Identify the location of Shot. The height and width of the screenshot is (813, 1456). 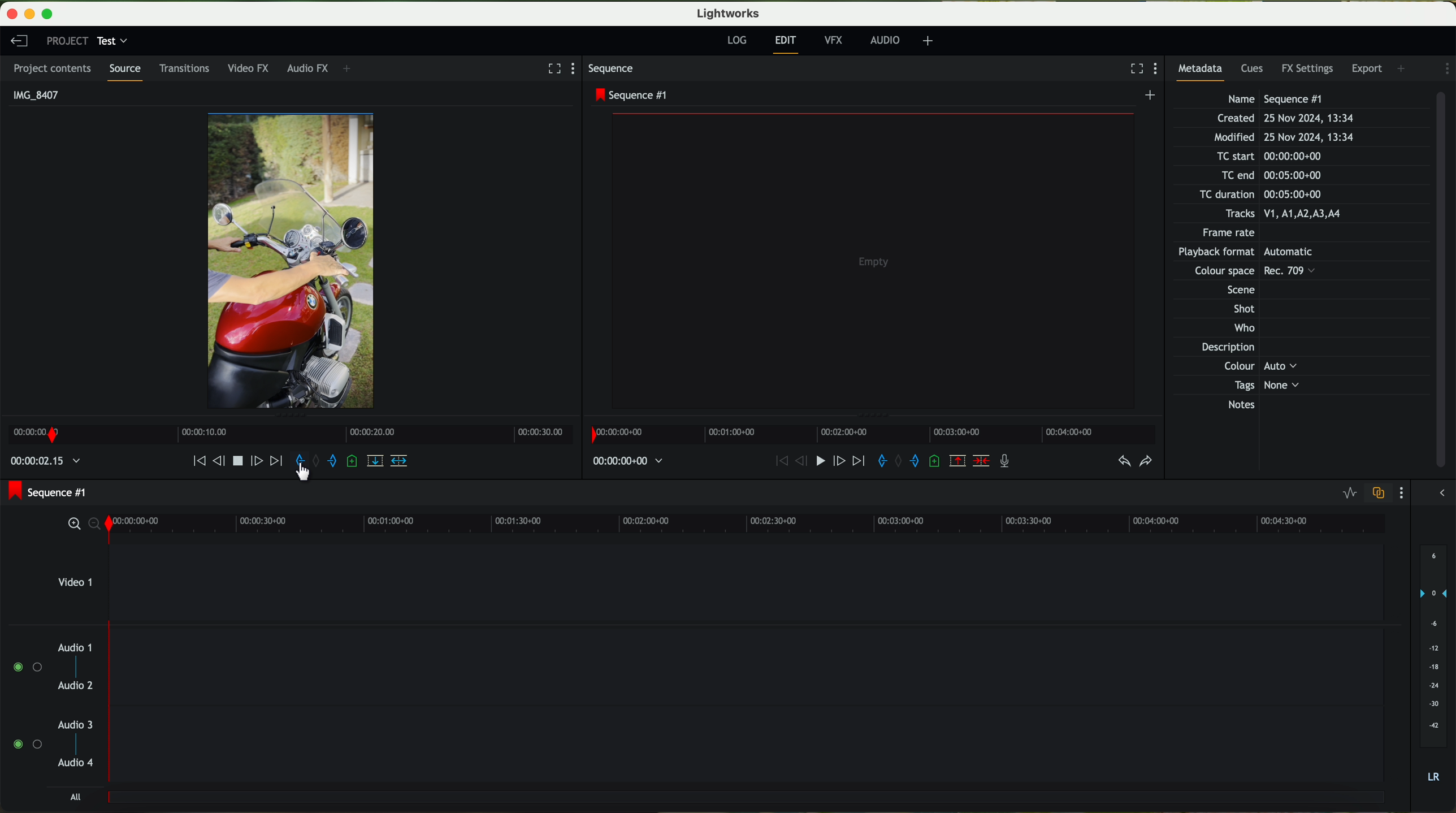
(1242, 309).